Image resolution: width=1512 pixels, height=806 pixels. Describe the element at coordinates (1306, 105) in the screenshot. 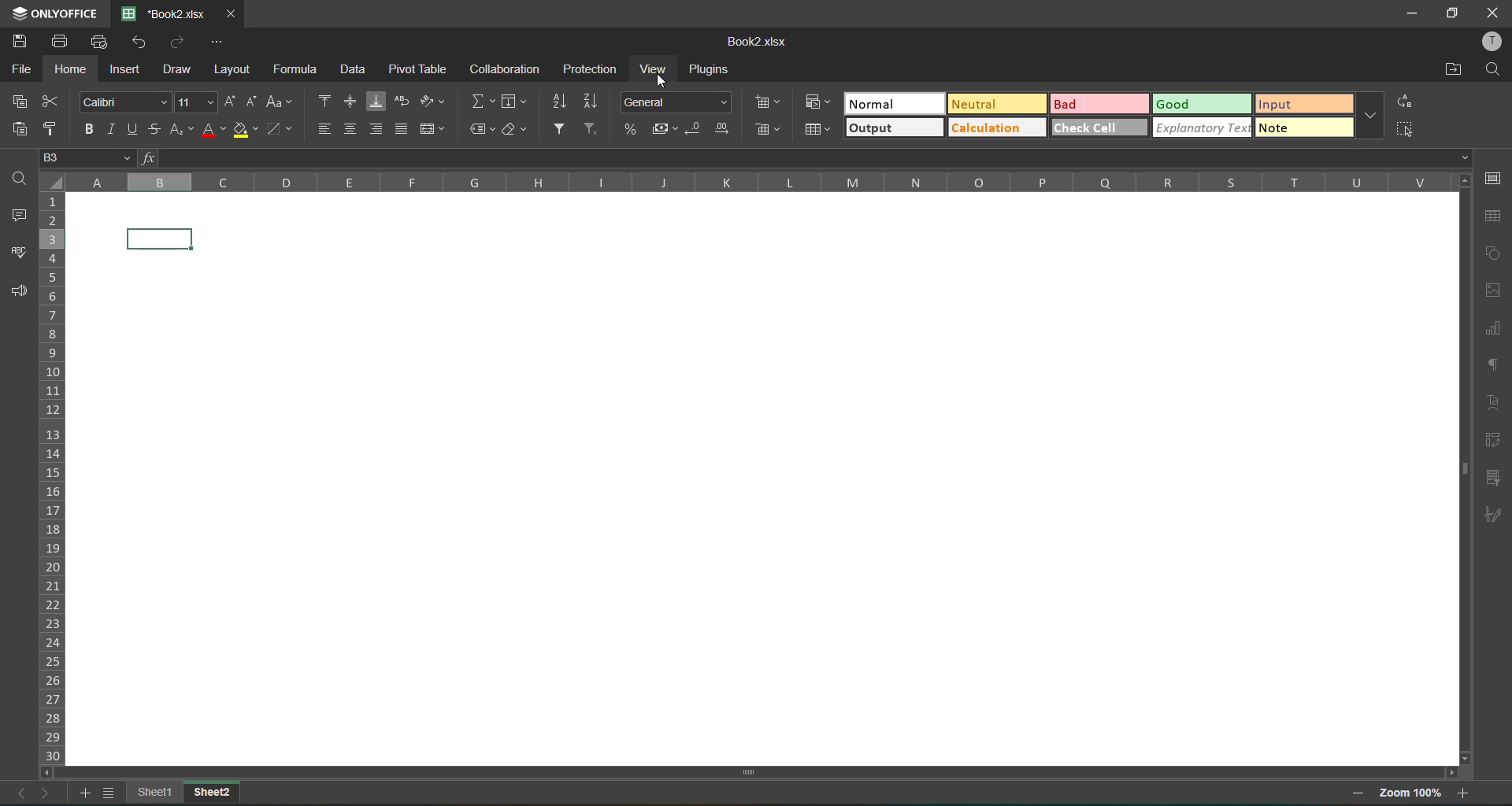

I see `input` at that location.